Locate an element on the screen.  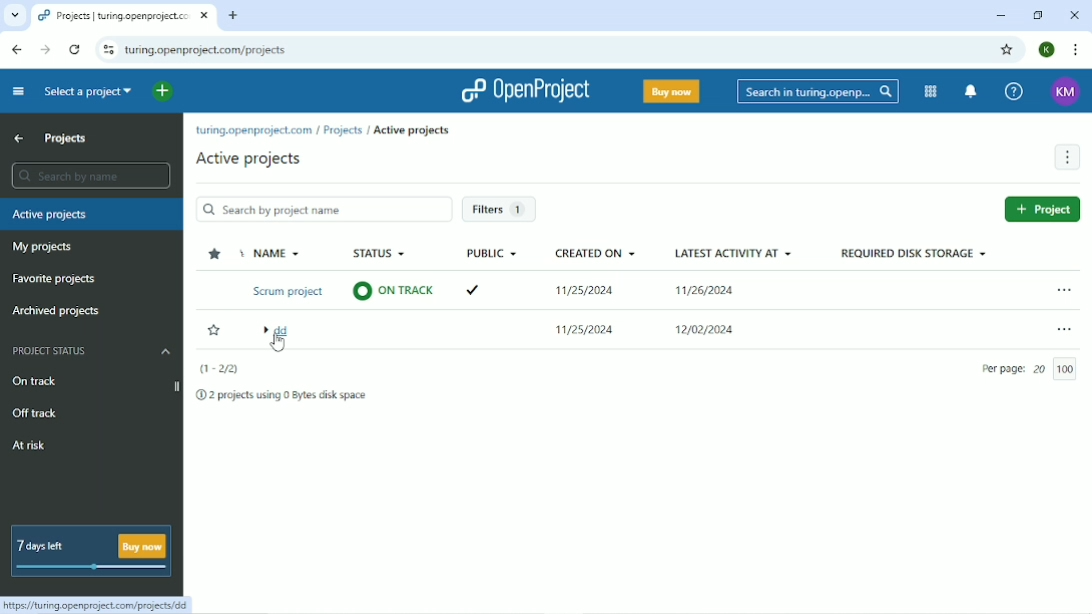
turing.openproject.com is located at coordinates (252, 132).